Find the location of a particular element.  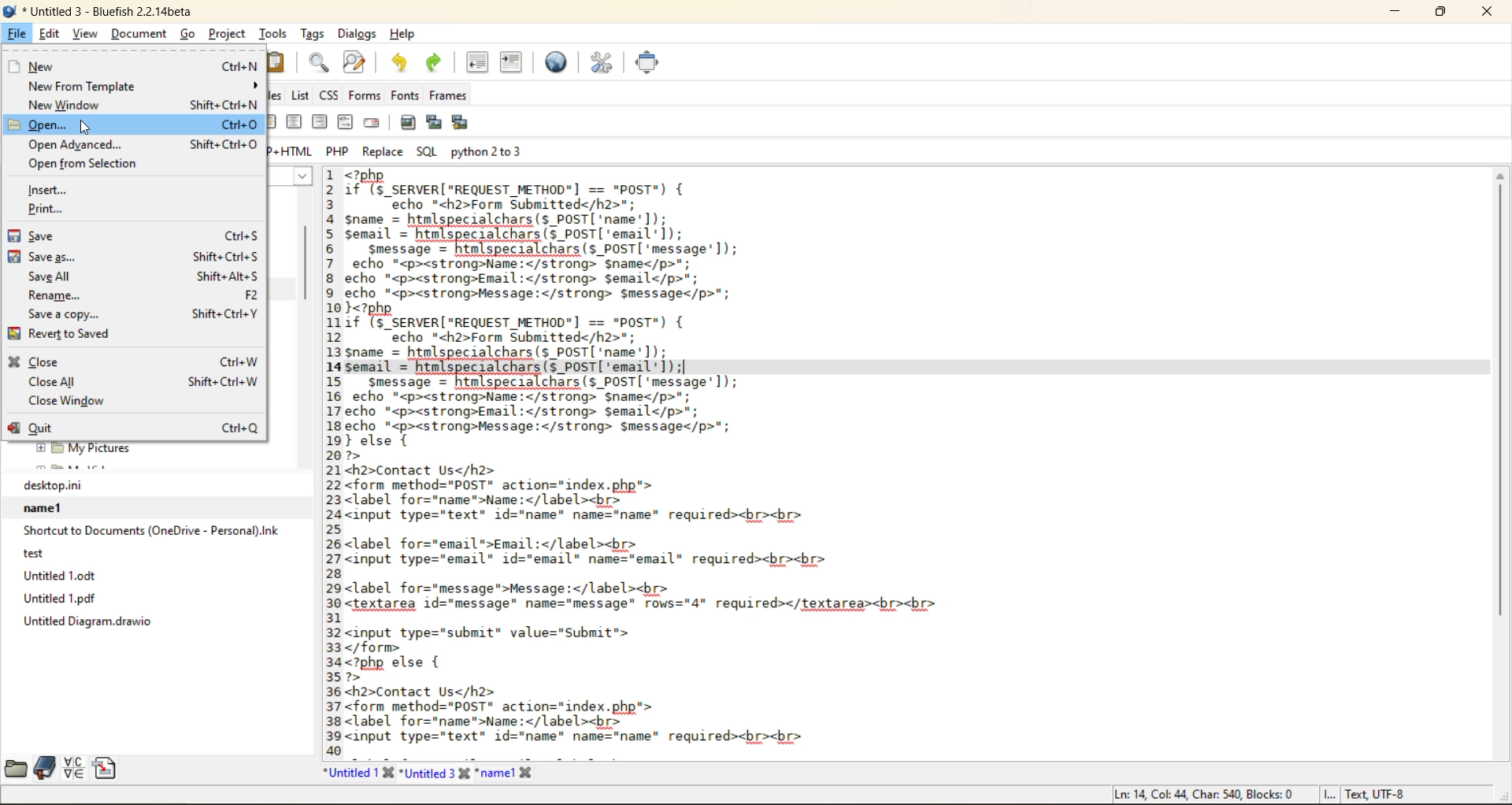

find bar is located at coordinates (321, 64).